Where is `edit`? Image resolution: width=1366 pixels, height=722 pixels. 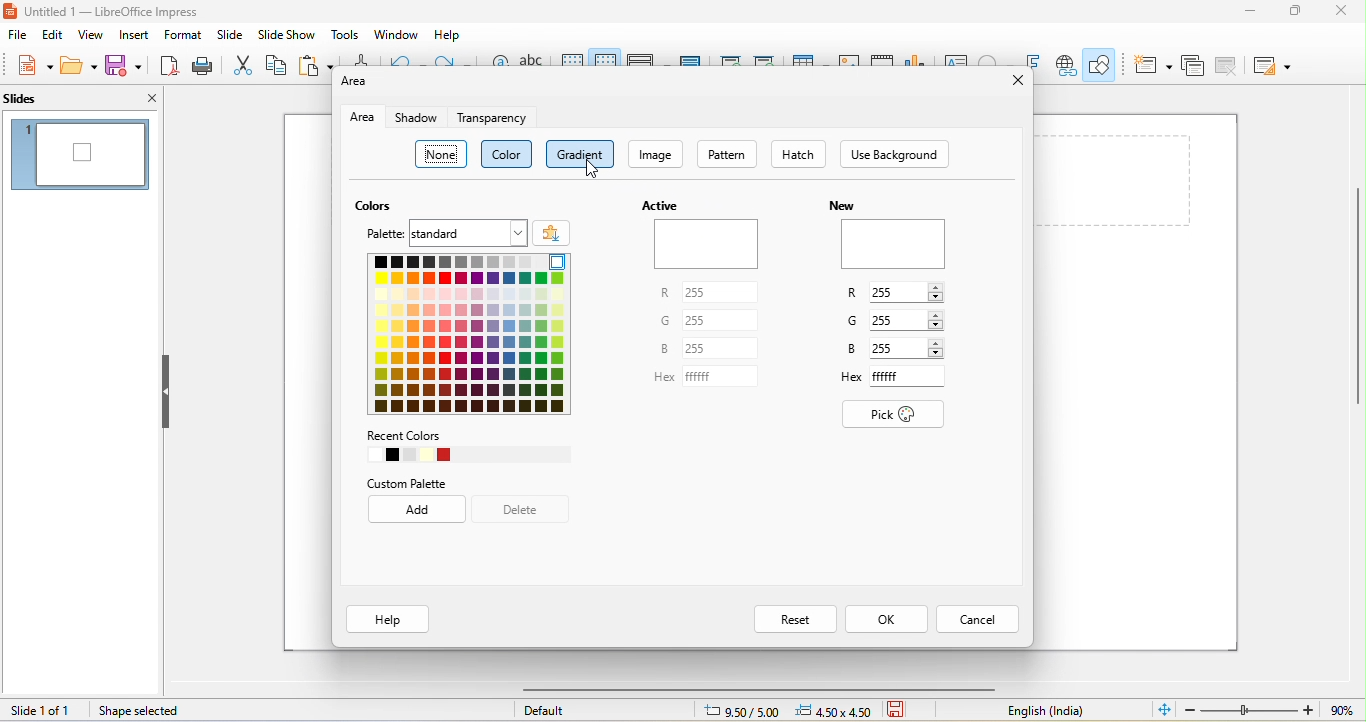 edit is located at coordinates (53, 35).